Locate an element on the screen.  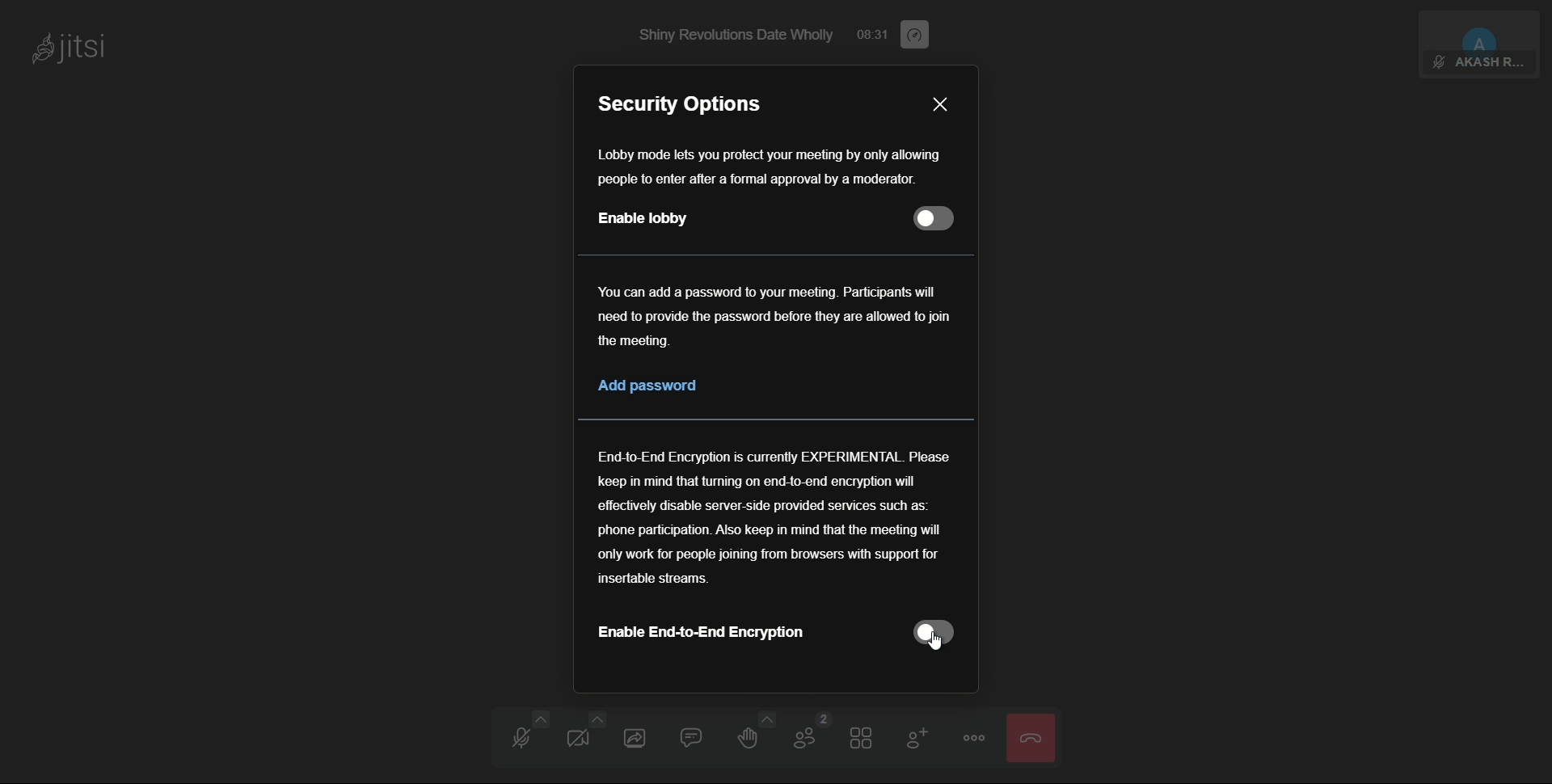
enable lobby is located at coordinates (643, 219).